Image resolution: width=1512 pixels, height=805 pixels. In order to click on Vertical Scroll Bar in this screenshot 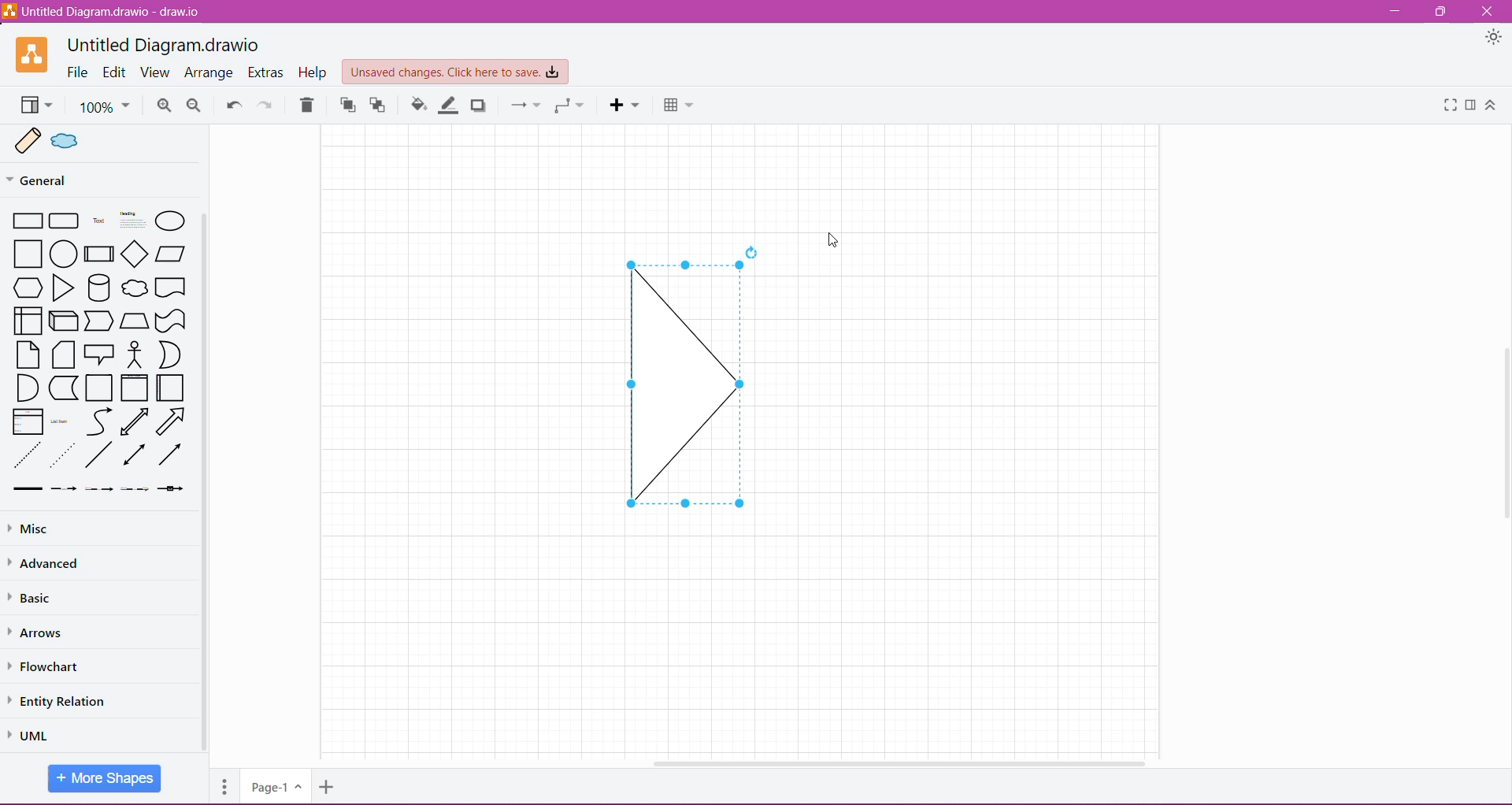, I will do `click(206, 483)`.